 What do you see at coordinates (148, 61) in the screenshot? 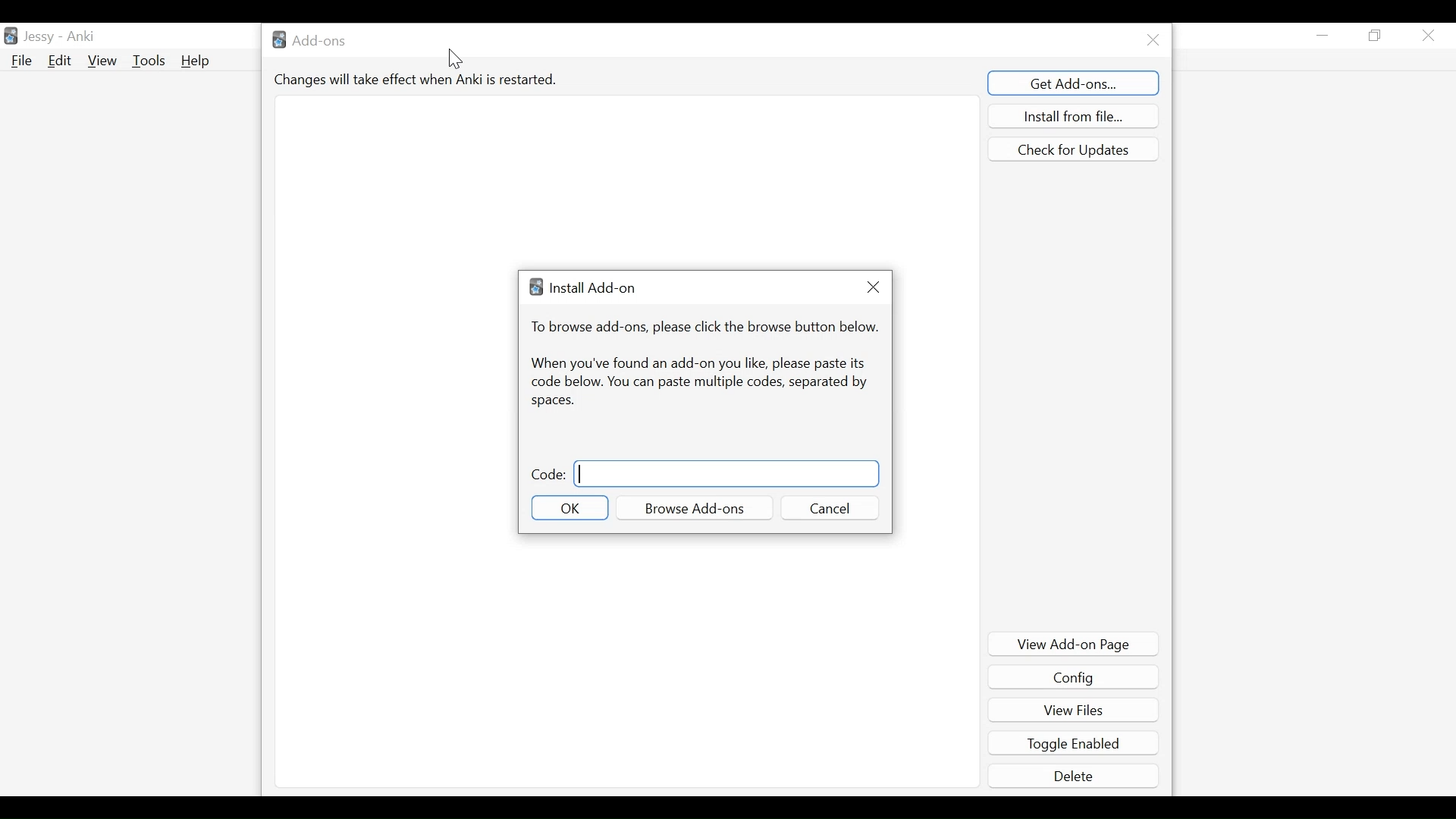
I see `Tools` at bounding box center [148, 61].